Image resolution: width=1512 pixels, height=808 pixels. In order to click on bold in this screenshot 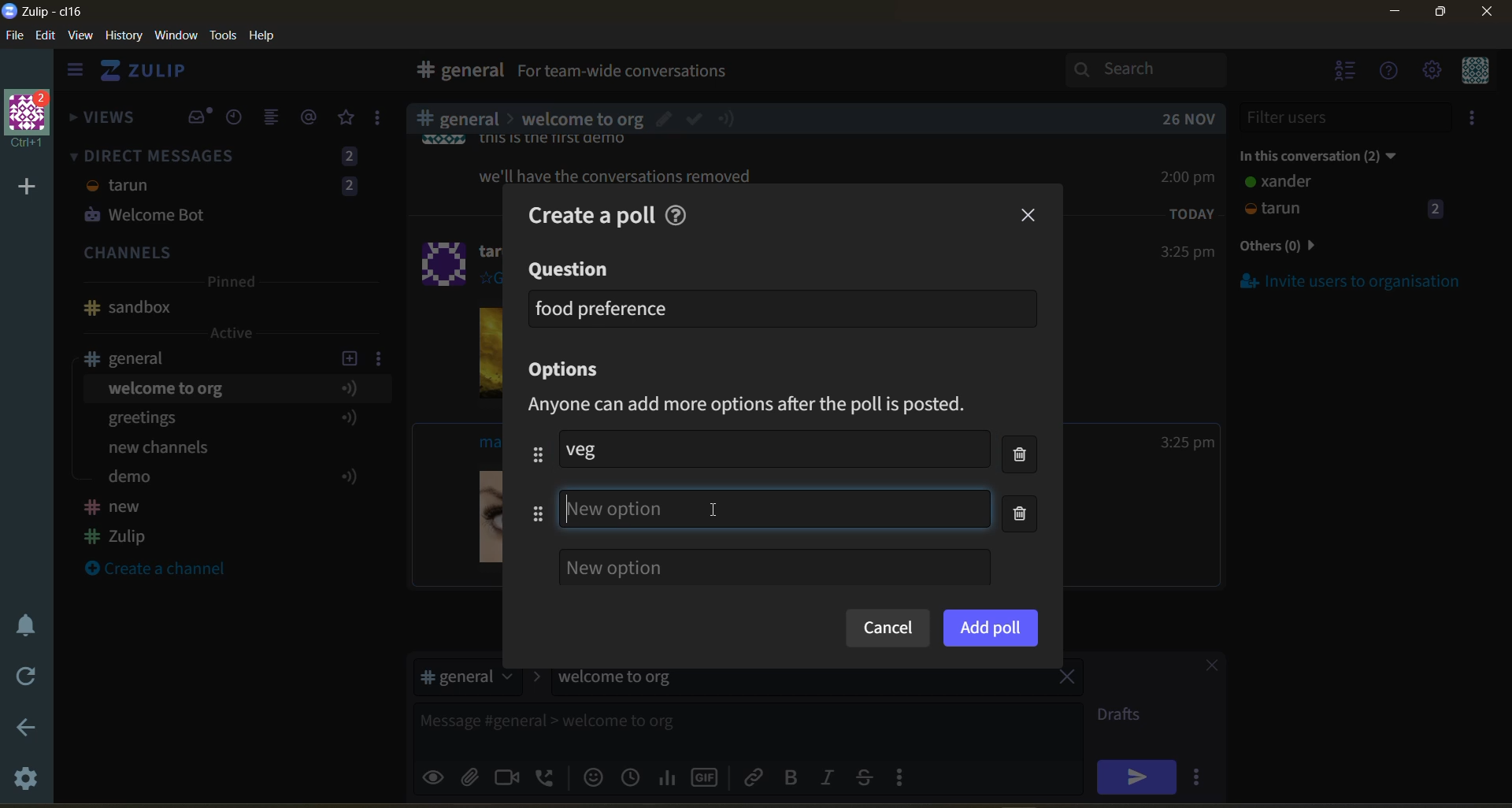, I will do `click(790, 778)`.